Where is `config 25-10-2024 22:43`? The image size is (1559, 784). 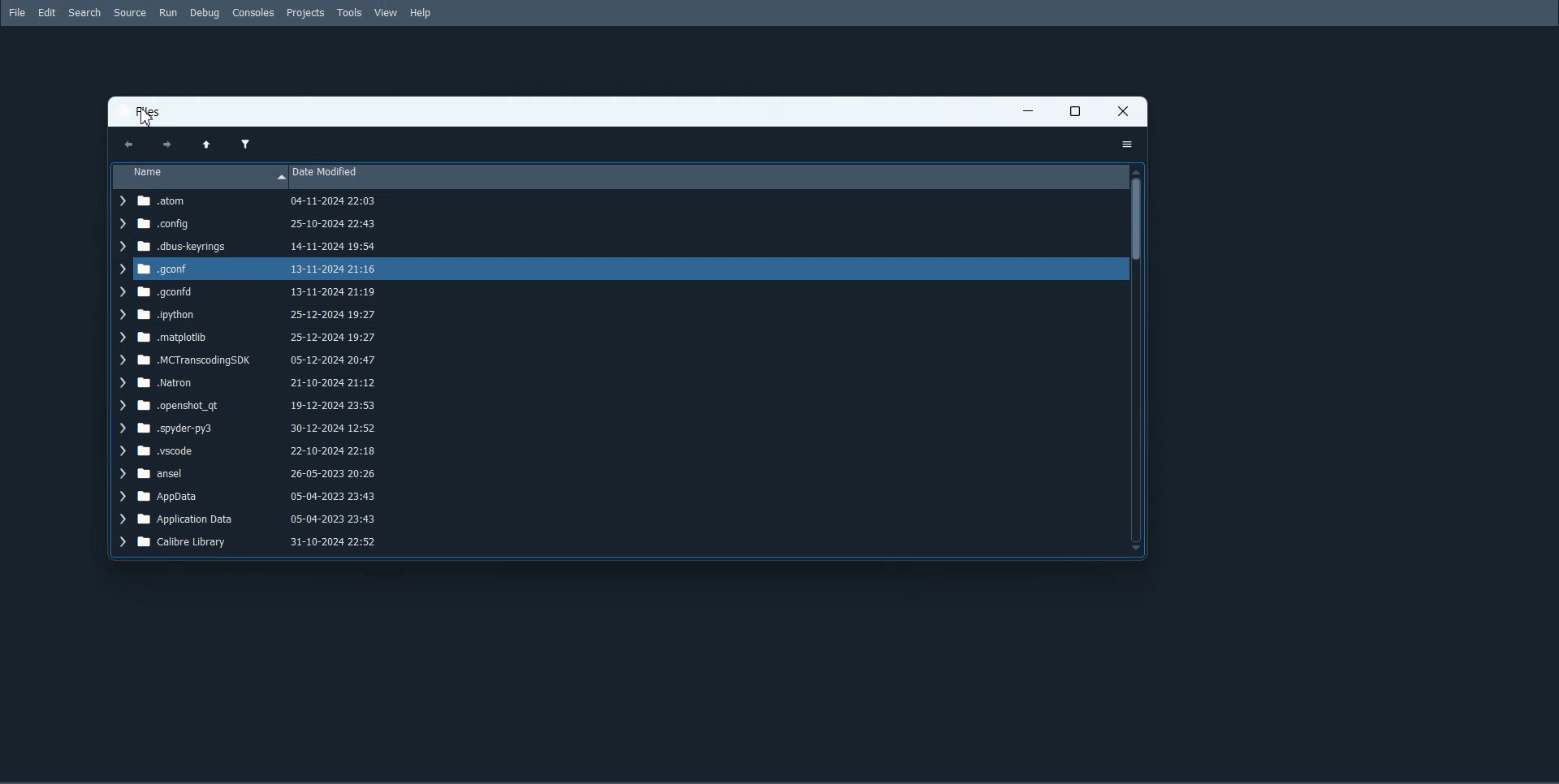 config 25-10-2024 22:43 is located at coordinates (247, 224).